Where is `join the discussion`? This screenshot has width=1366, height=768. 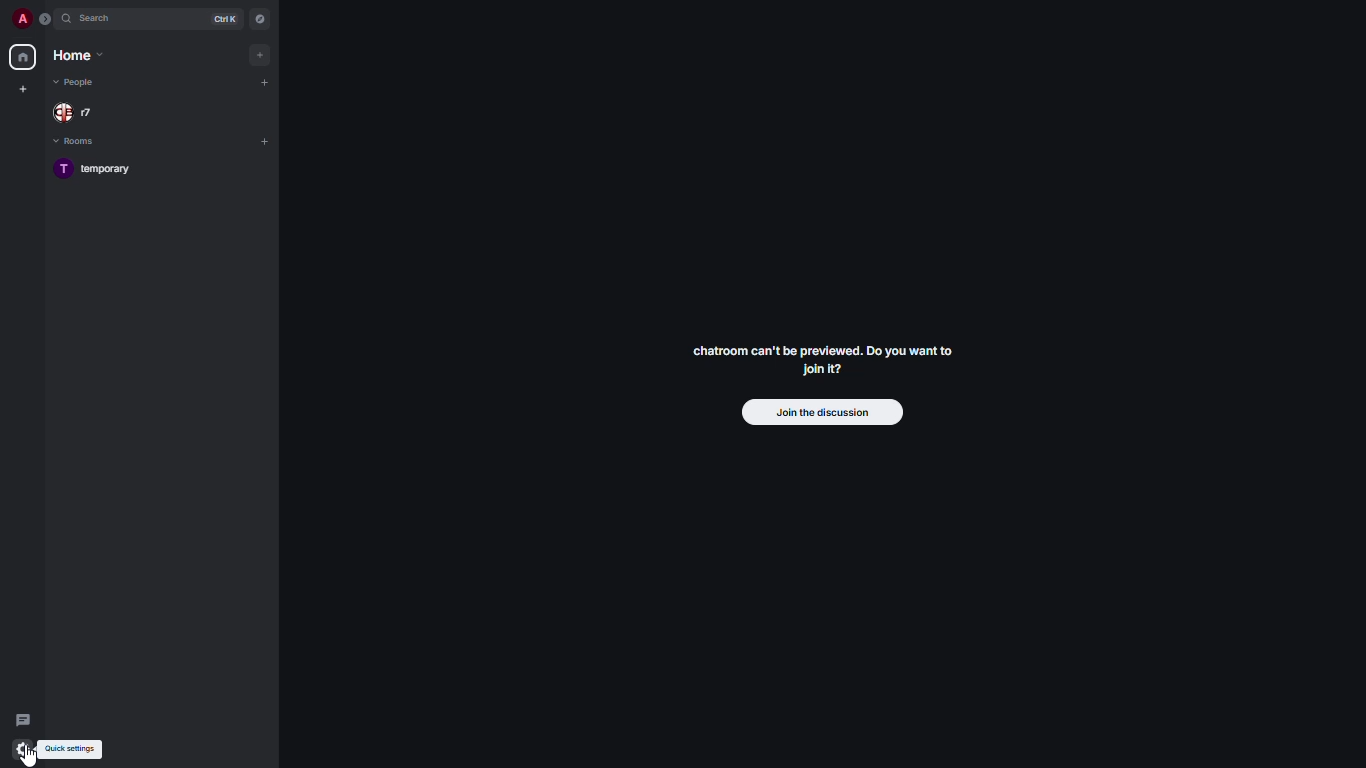
join the discussion is located at coordinates (824, 413).